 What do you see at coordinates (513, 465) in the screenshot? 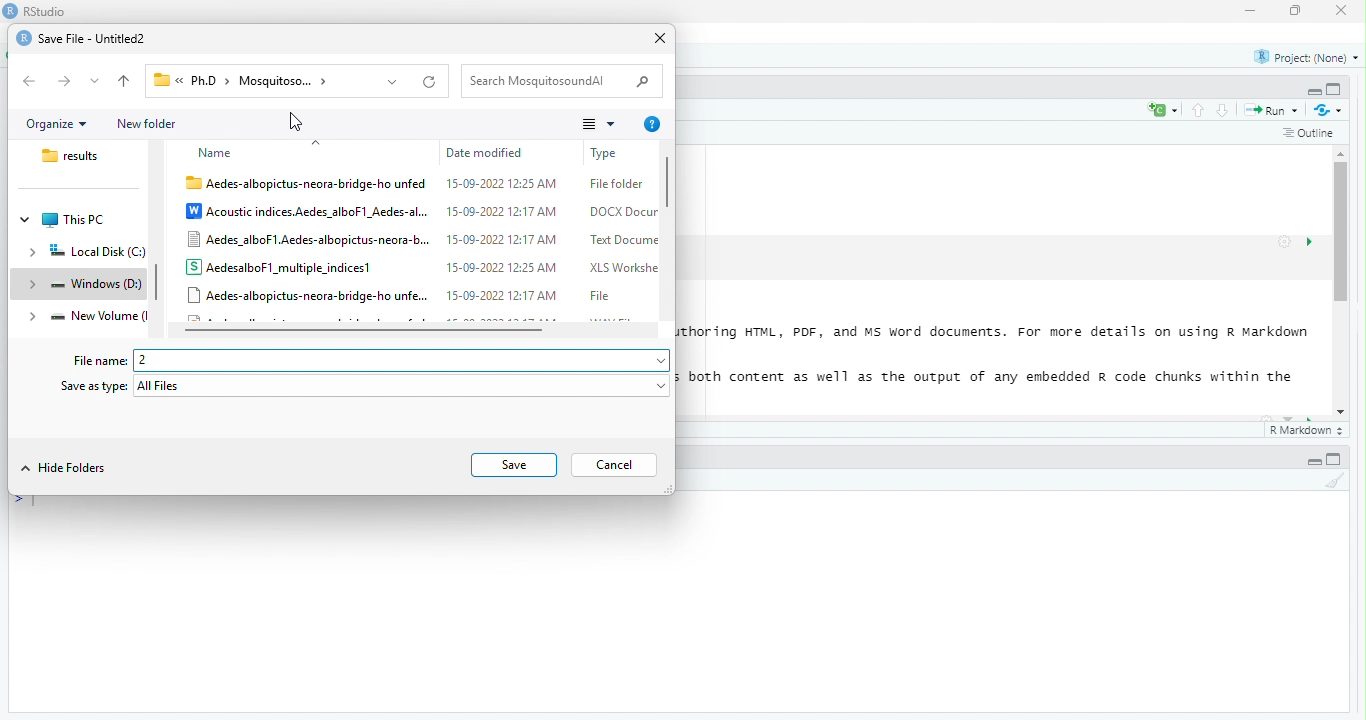
I see `Save` at bounding box center [513, 465].